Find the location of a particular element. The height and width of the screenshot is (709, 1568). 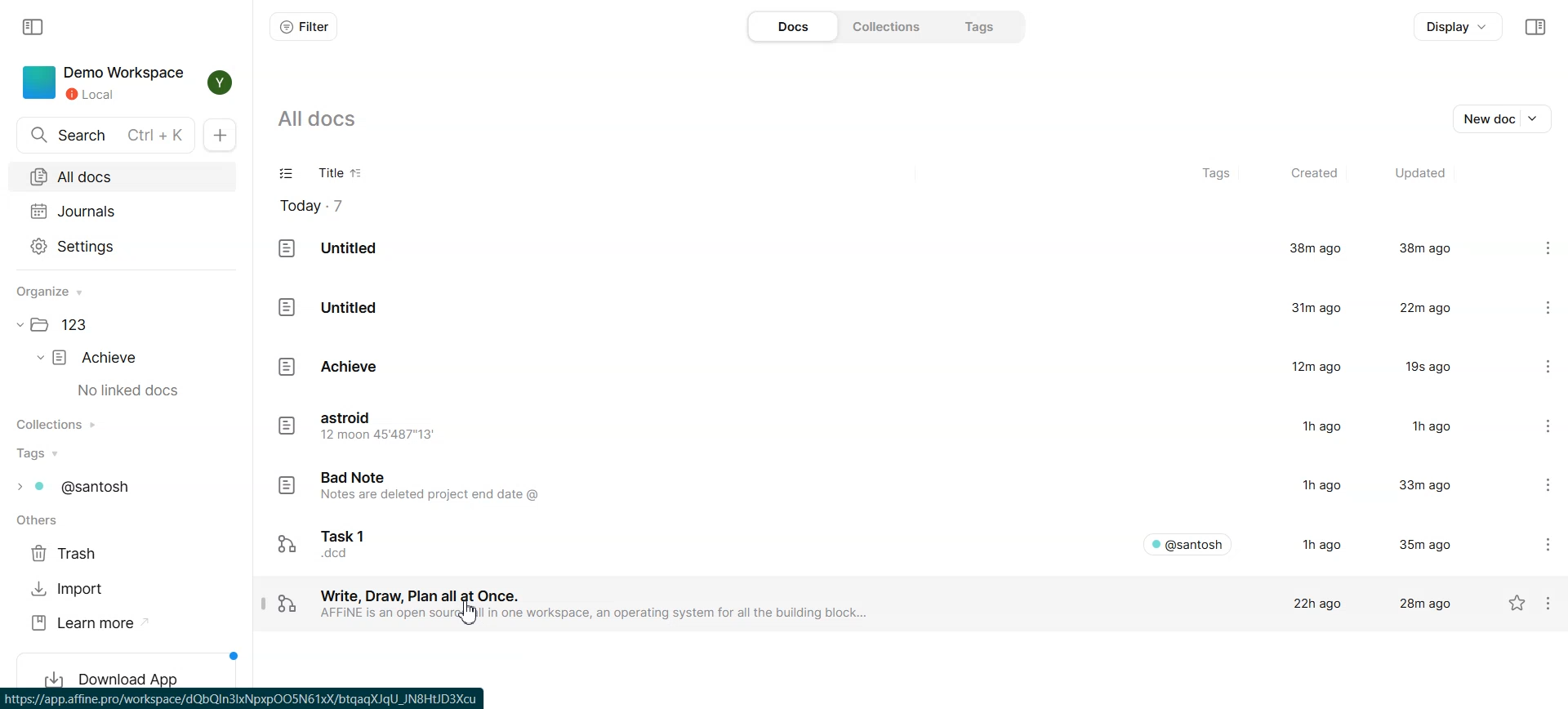

Tags is located at coordinates (1218, 175).